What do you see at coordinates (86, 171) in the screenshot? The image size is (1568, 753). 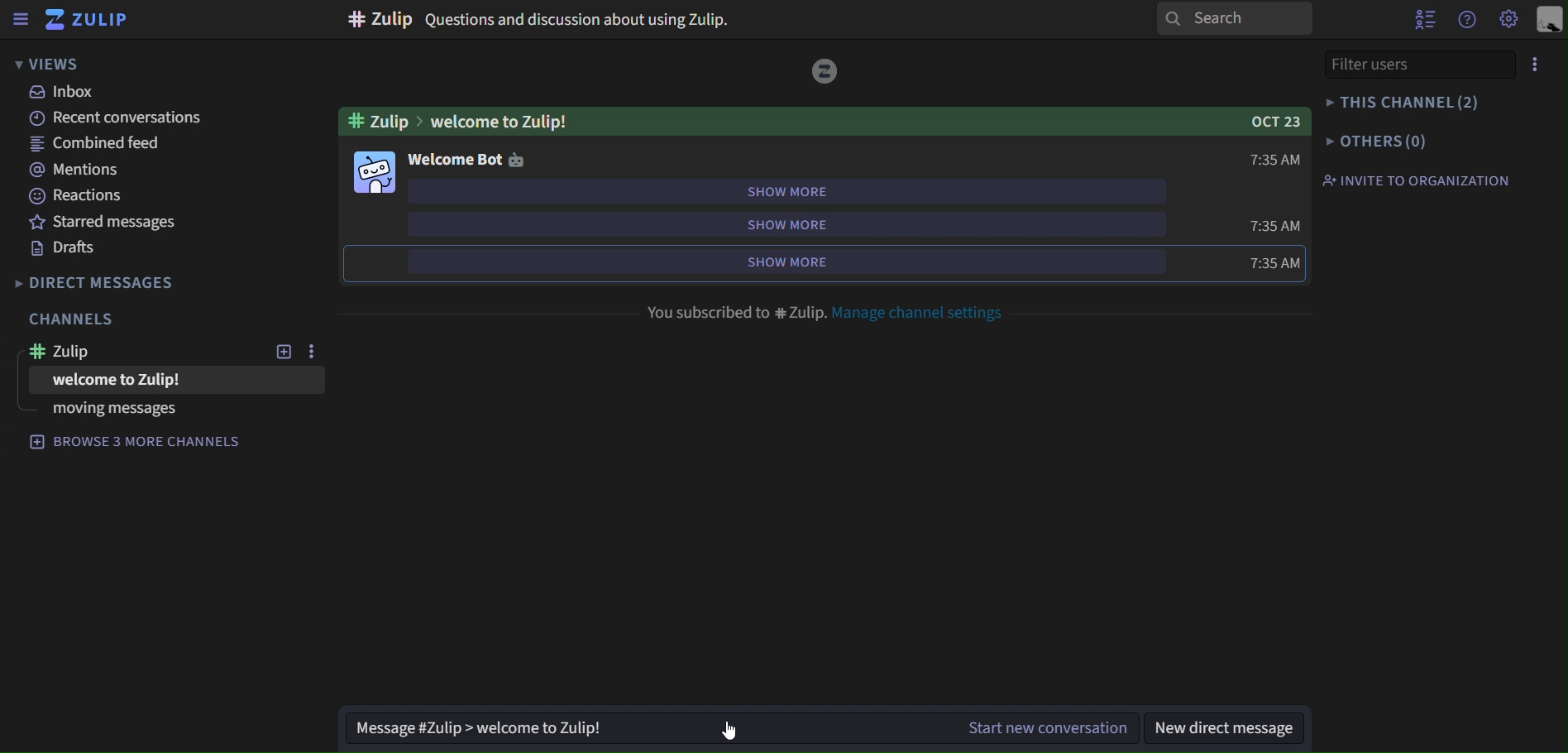 I see `mentions` at bounding box center [86, 171].